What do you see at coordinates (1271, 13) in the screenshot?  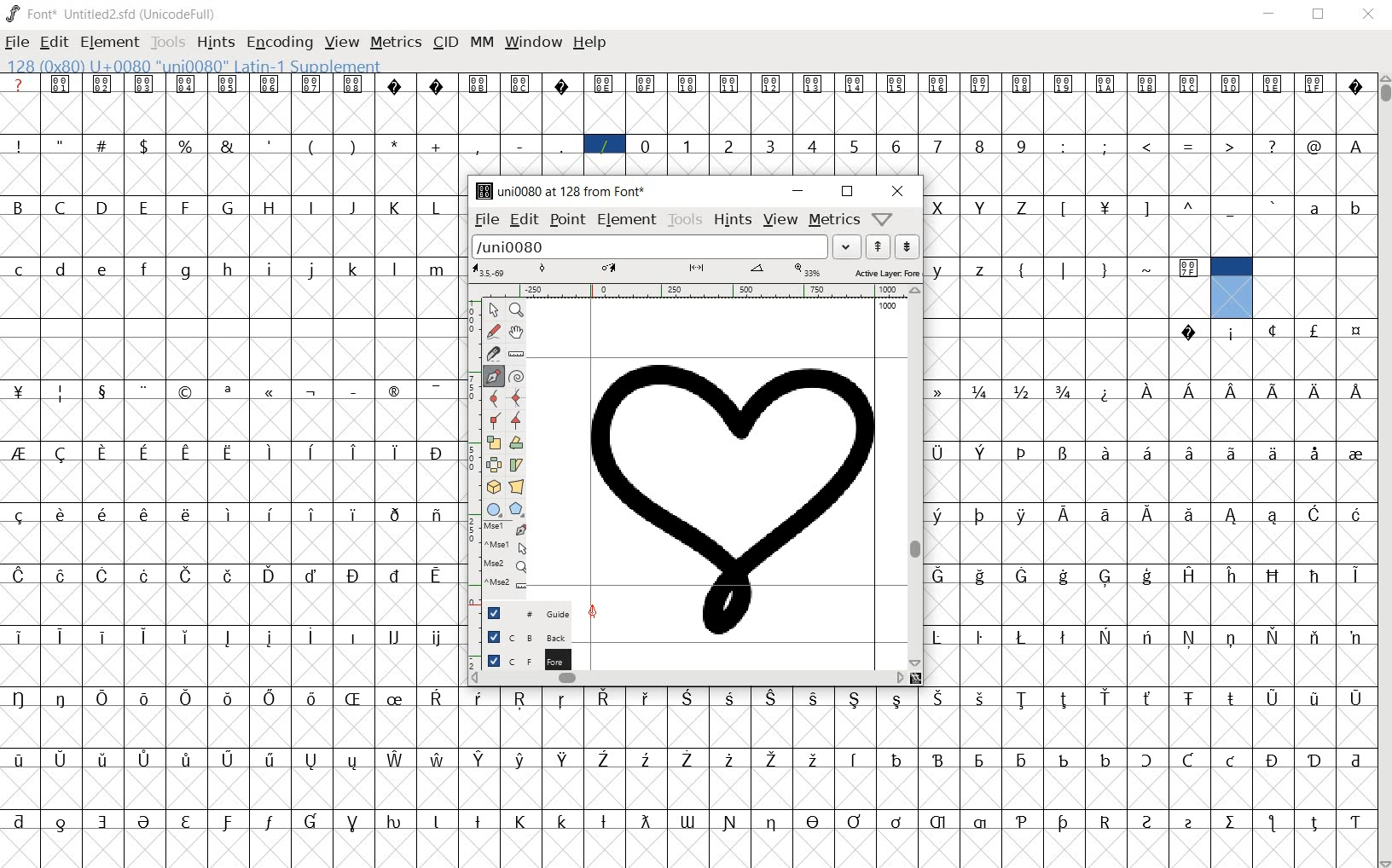 I see `MINIMIZE` at bounding box center [1271, 13].